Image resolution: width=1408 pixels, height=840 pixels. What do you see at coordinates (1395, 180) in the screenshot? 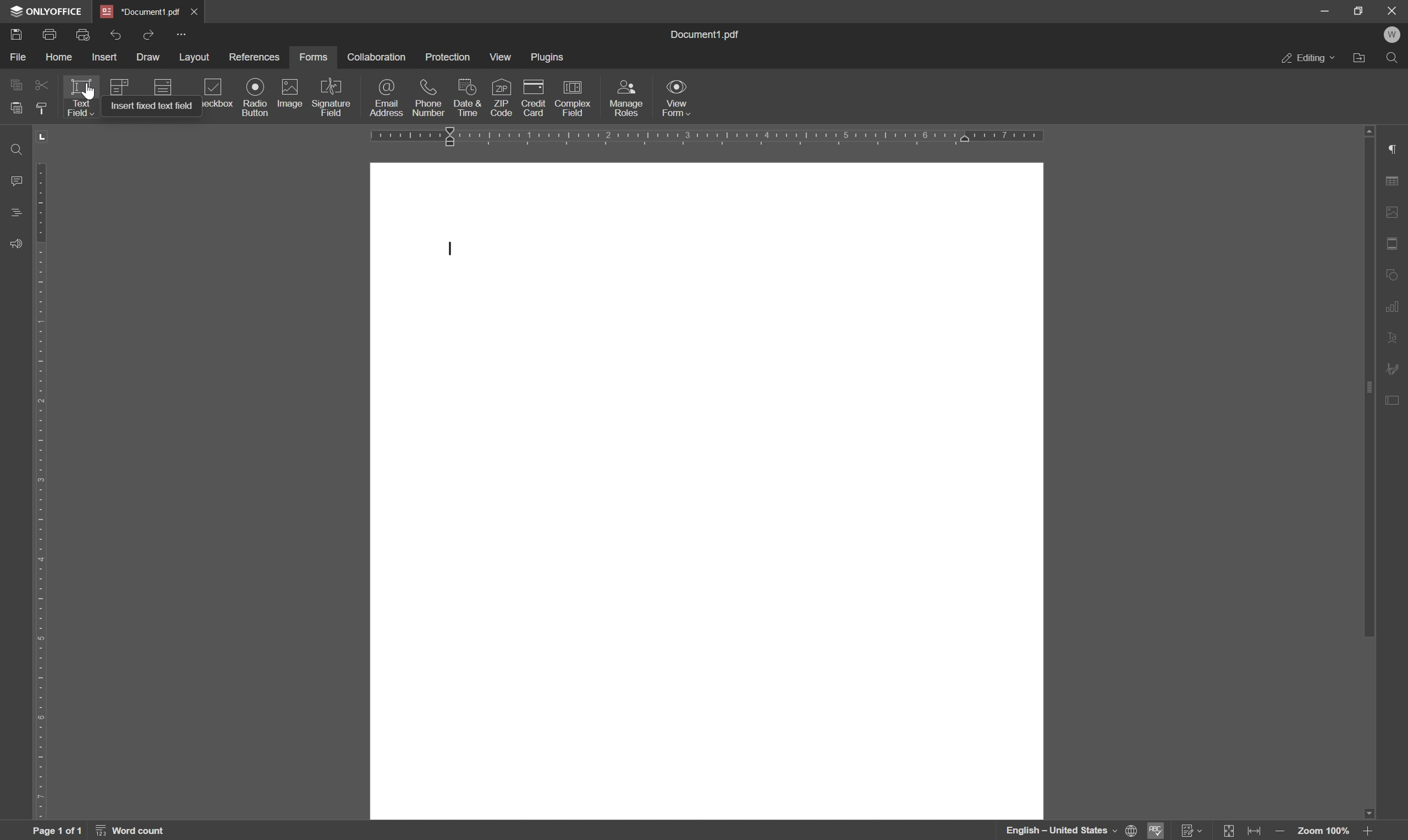
I see `table settings` at bounding box center [1395, 180].